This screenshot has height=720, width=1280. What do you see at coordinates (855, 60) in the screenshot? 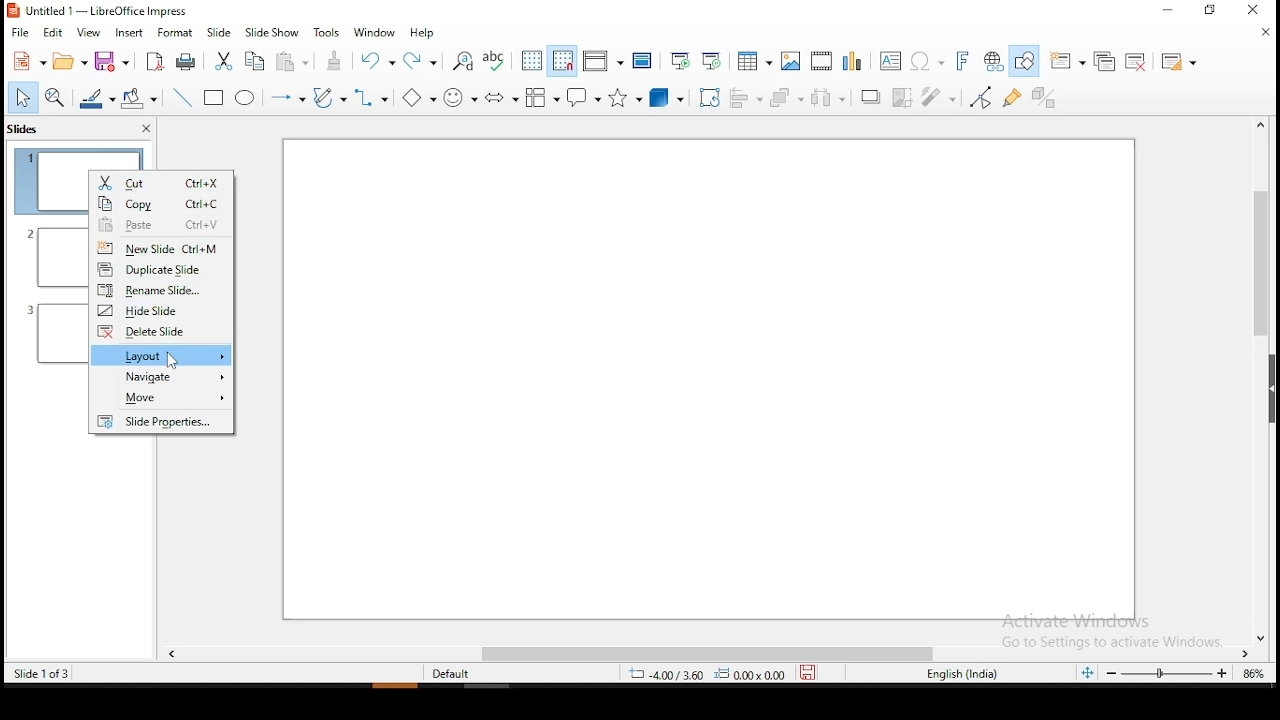
I see `insert chart` at bounding box center [855, 60].